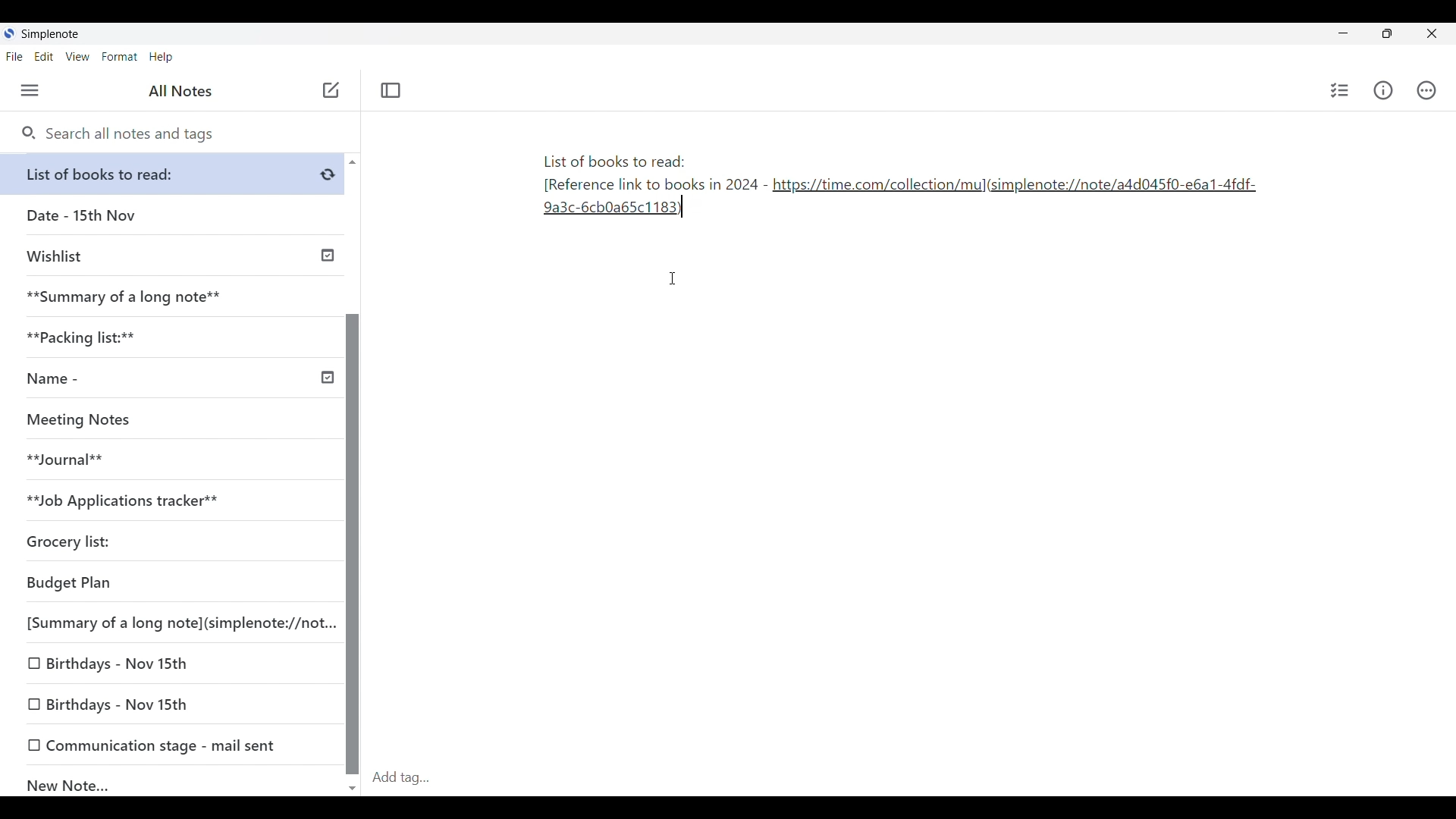  I want to click on Vertical scroll bar, so click(352, 473).